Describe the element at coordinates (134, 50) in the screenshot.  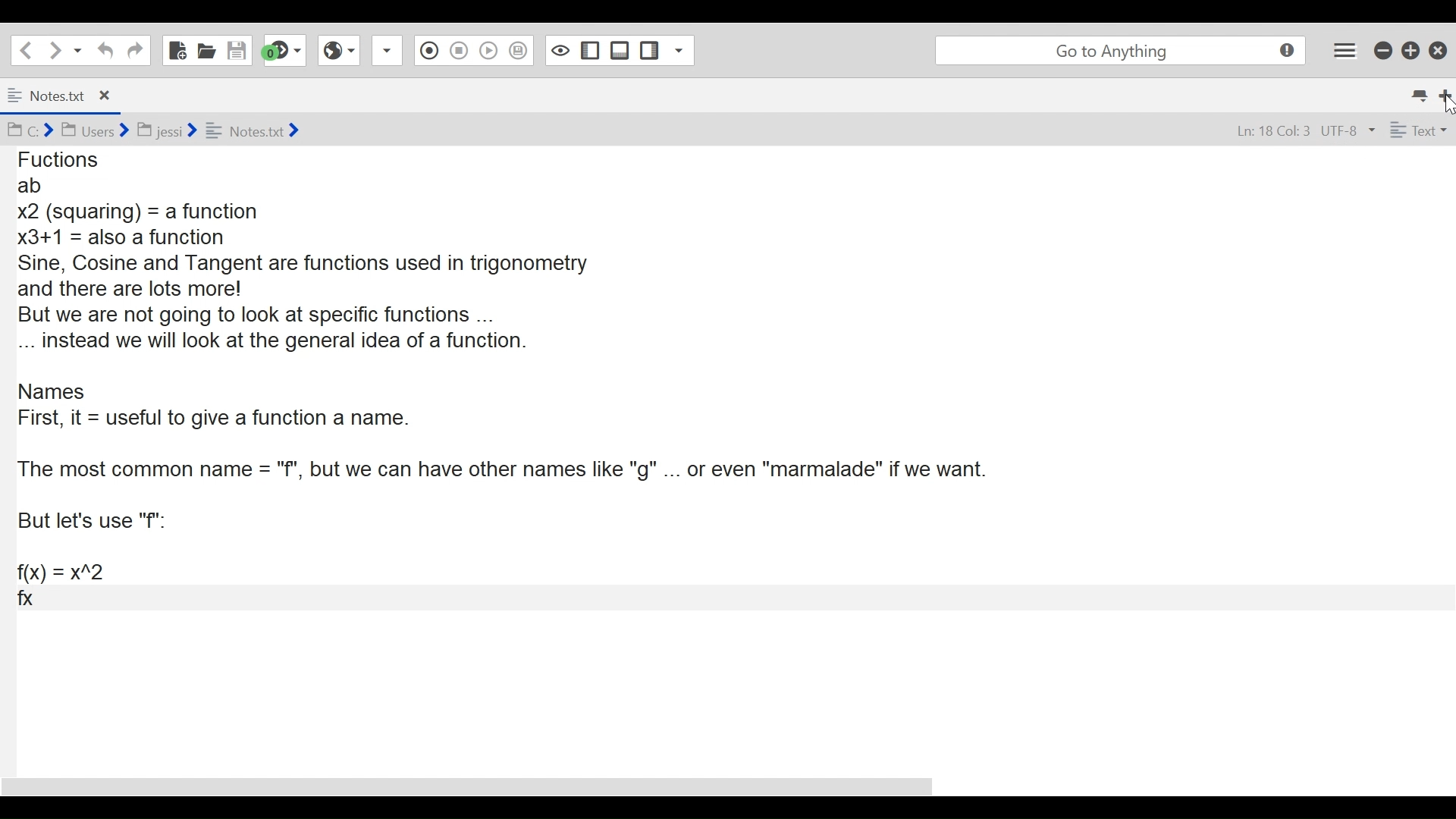
I see `Redo last action` at that location.